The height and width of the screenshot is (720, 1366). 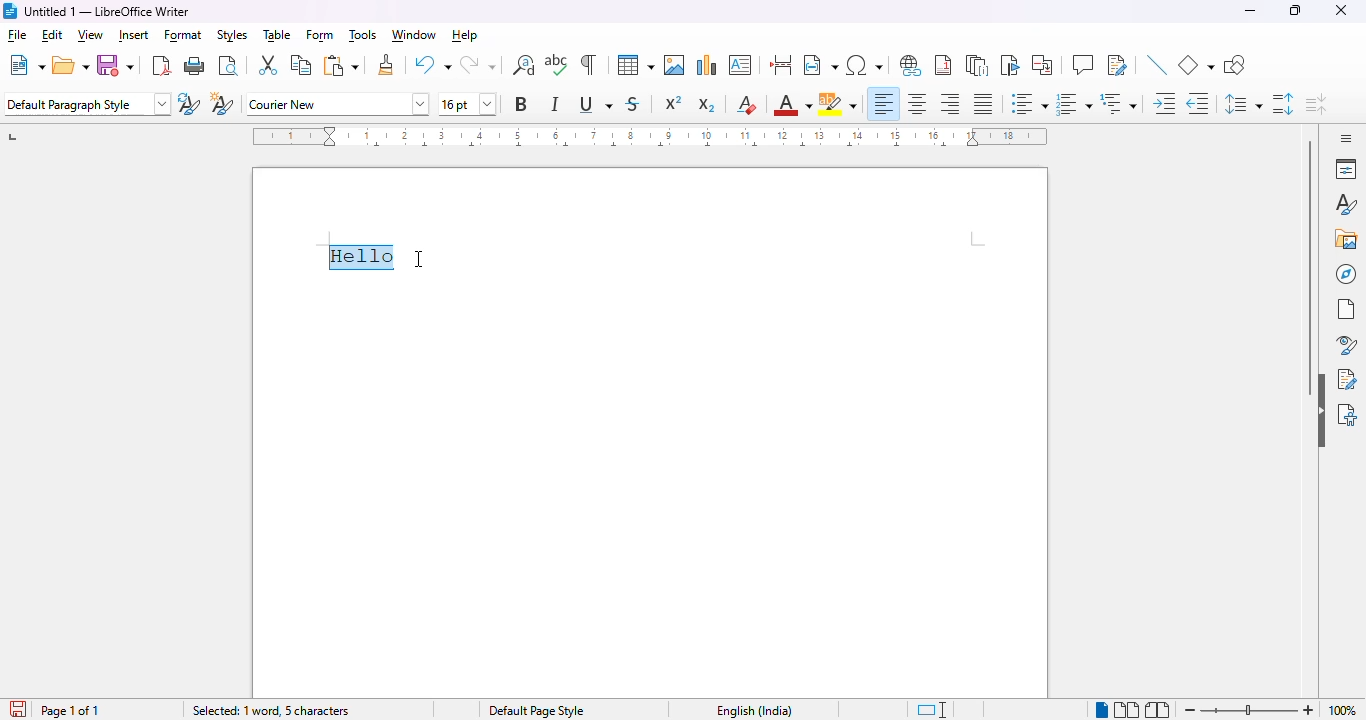 What do you see at coordinates (184, 37) in the screenshot?
I see `format` at bounding box center [184, 37].